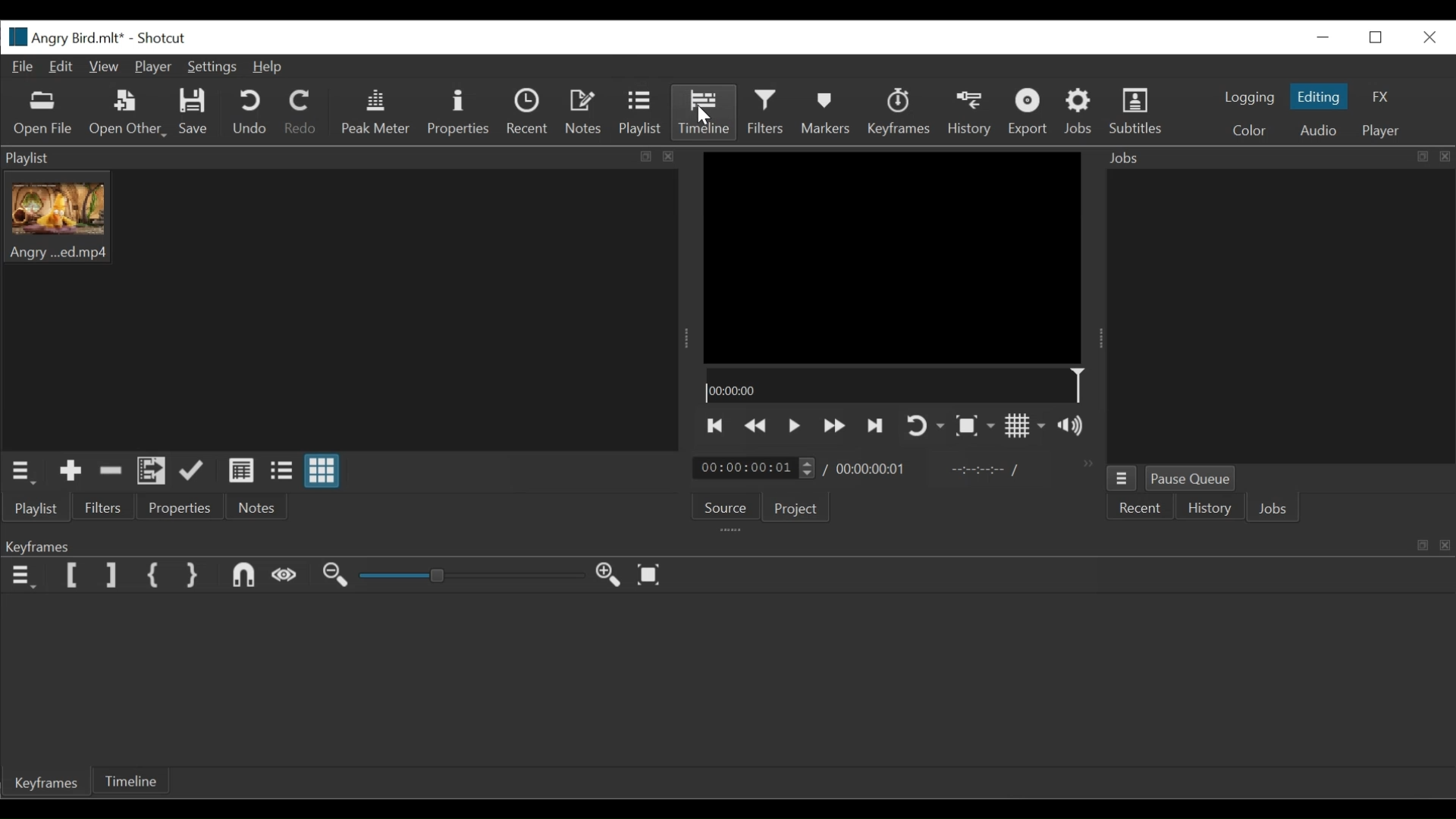 This screenshot has width=1456, height=819. I want to click on Skip to the previous point, so click(717, 426).